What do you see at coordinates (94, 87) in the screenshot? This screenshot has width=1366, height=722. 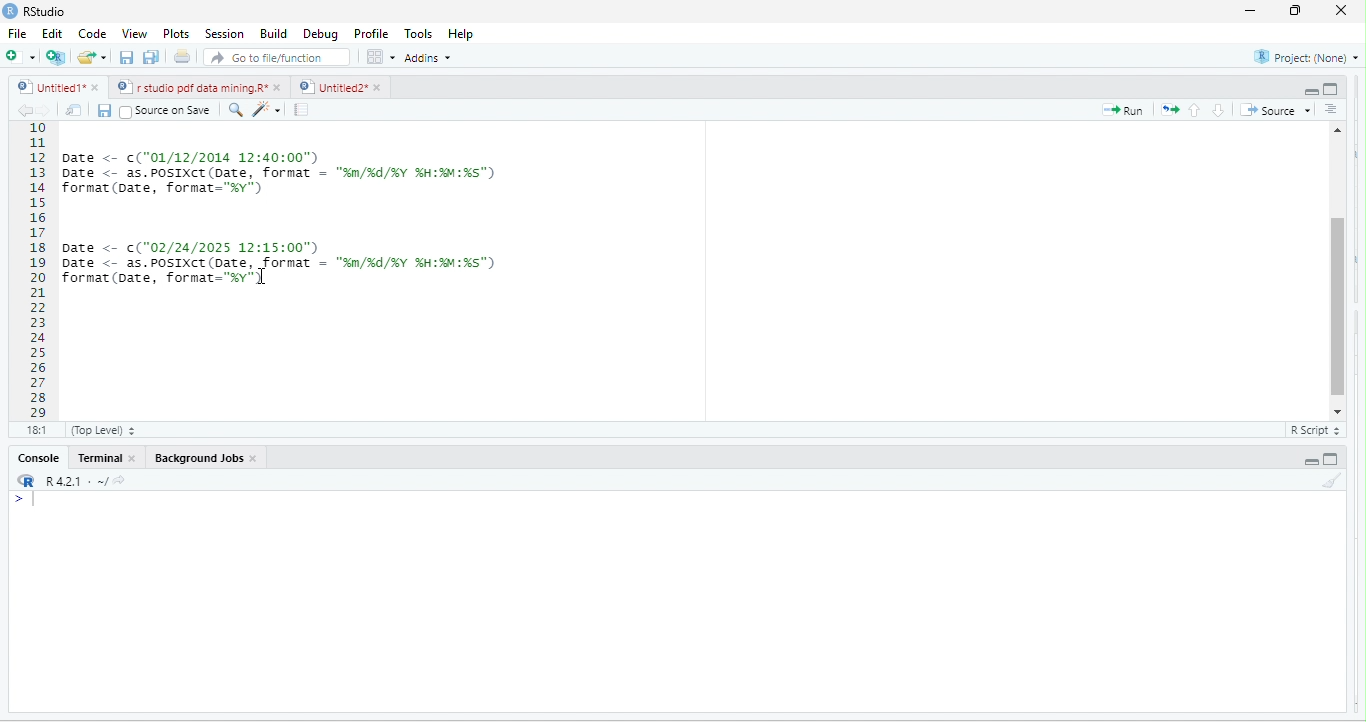 I see `close` at bounding box center [94, 87].